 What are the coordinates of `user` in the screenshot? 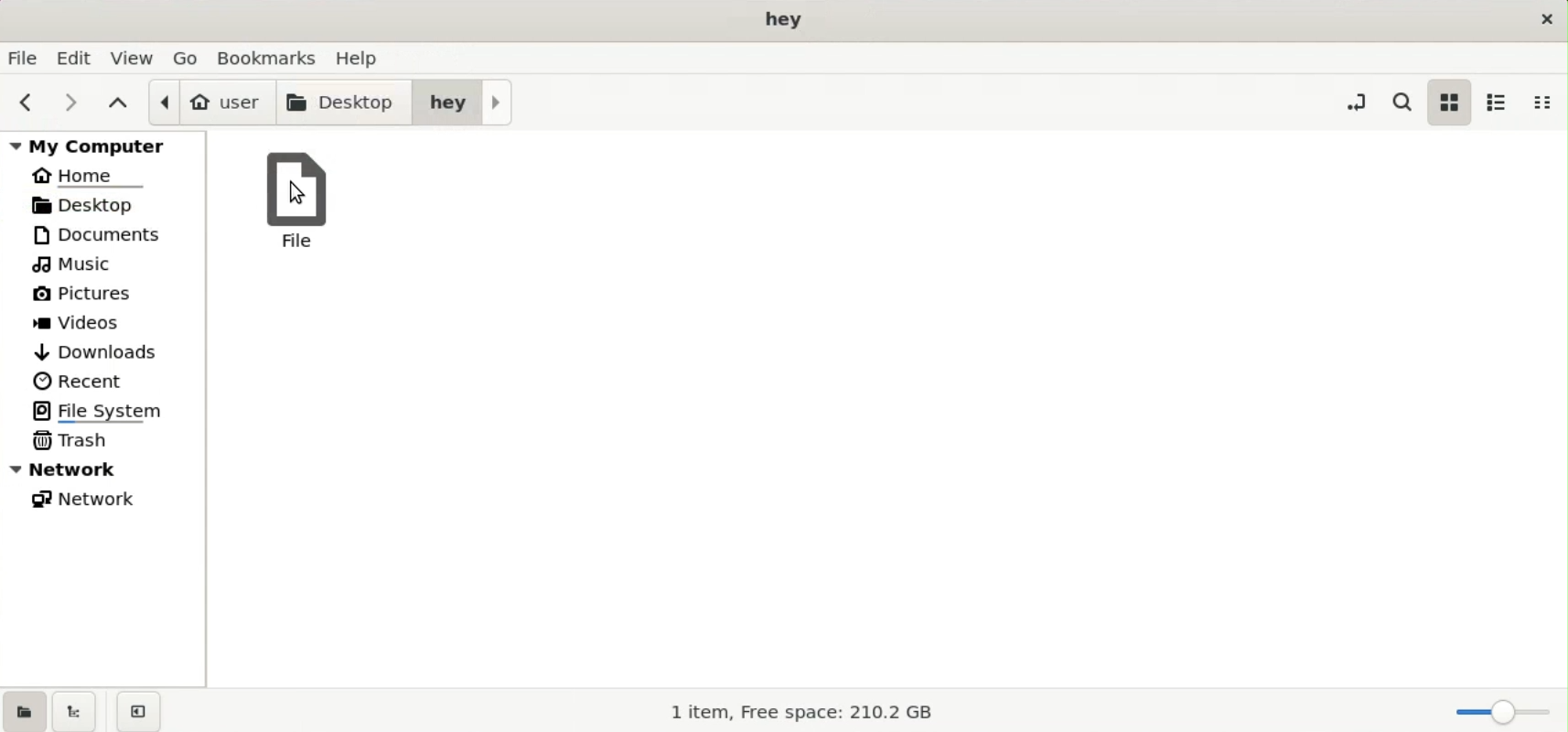 It's located at (210, 102).